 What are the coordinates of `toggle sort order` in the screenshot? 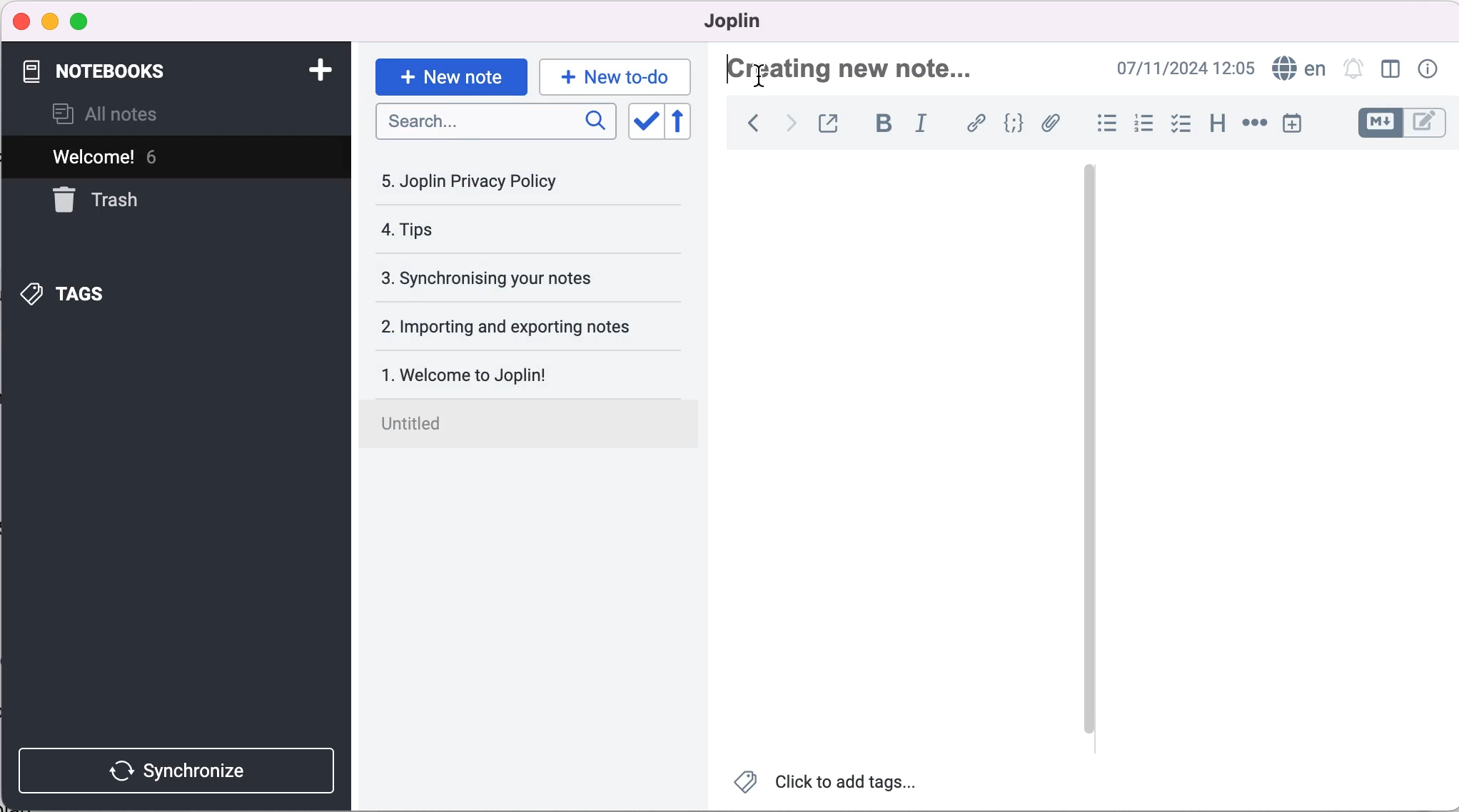 It's located at (645, 122).